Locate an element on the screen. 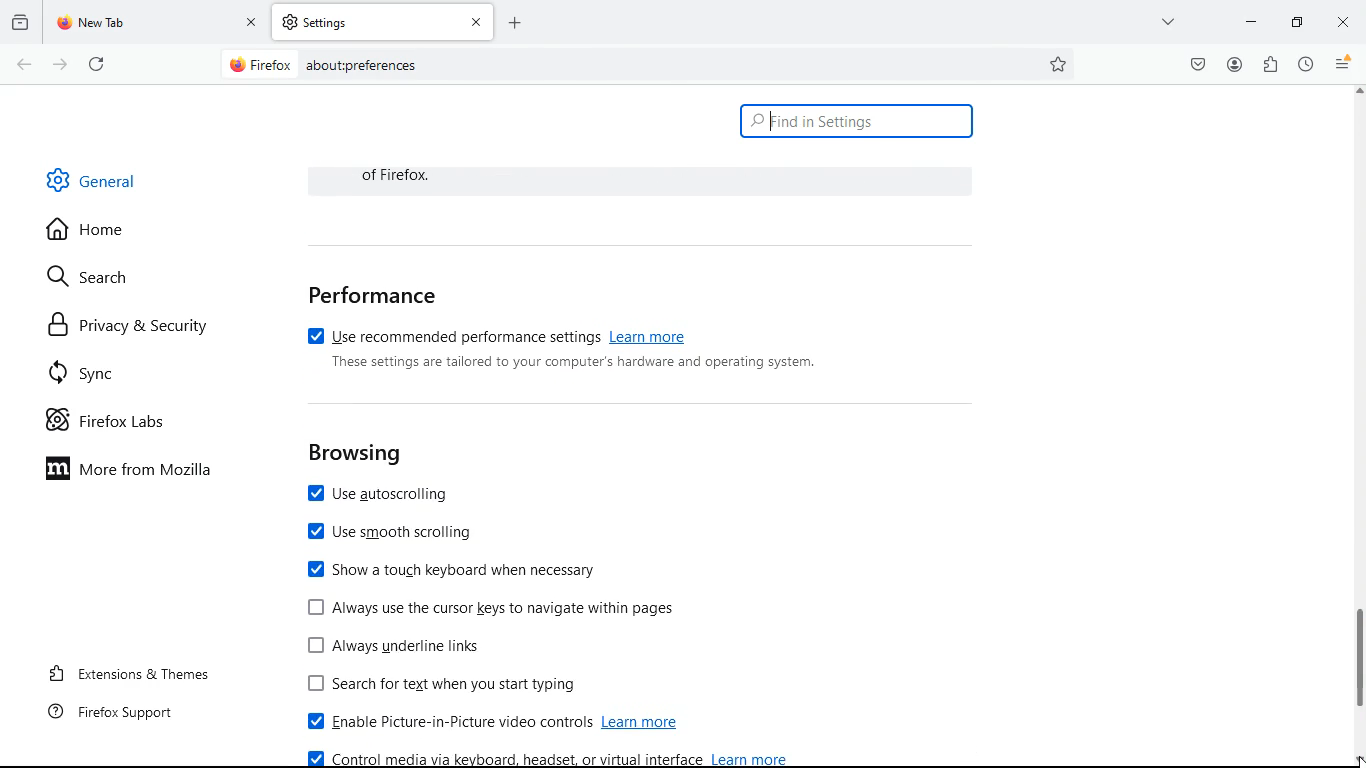  forward is located at coordinates (59, 64).